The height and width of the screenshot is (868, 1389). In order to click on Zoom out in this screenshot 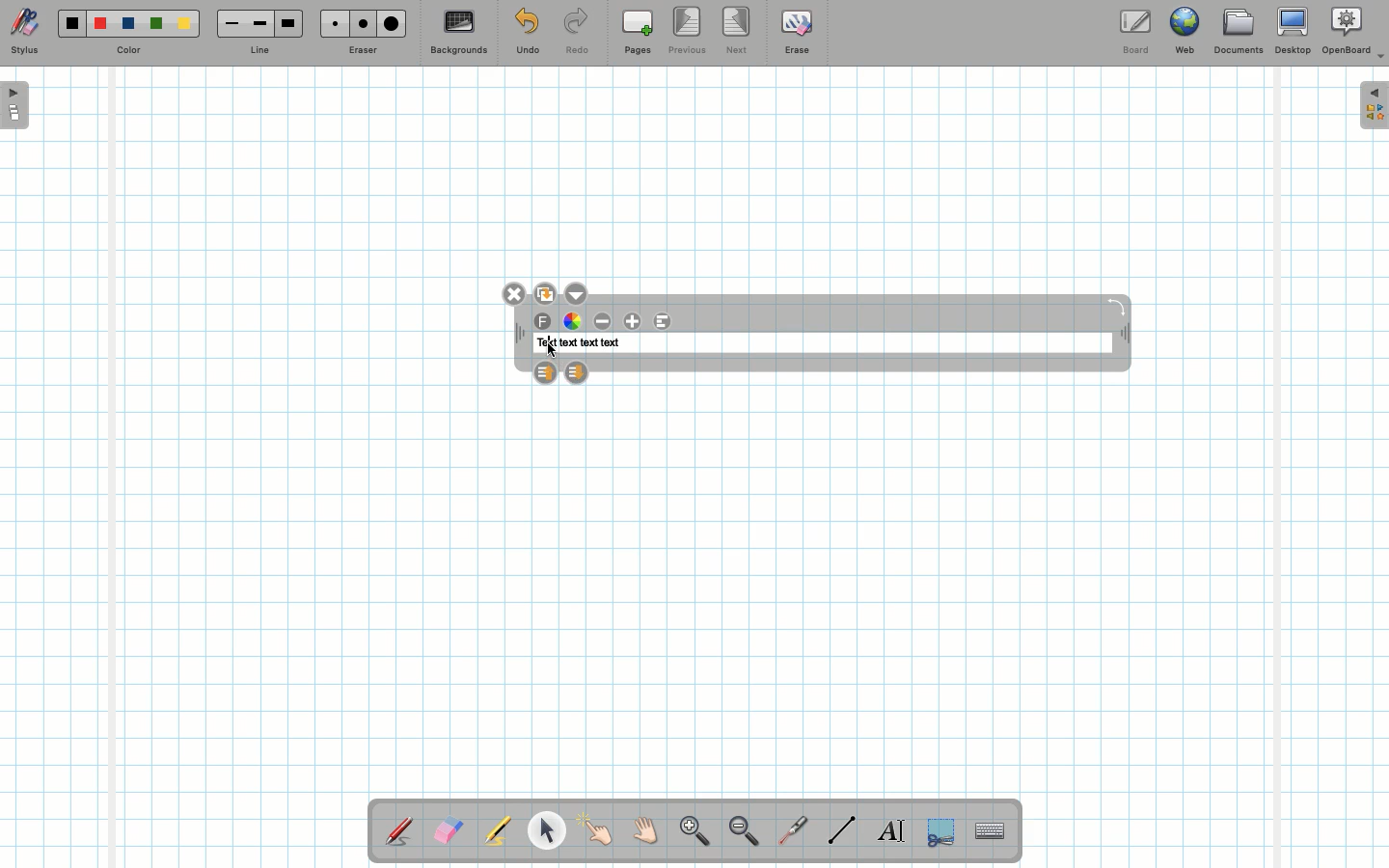, I will do `click(744, 832)`.